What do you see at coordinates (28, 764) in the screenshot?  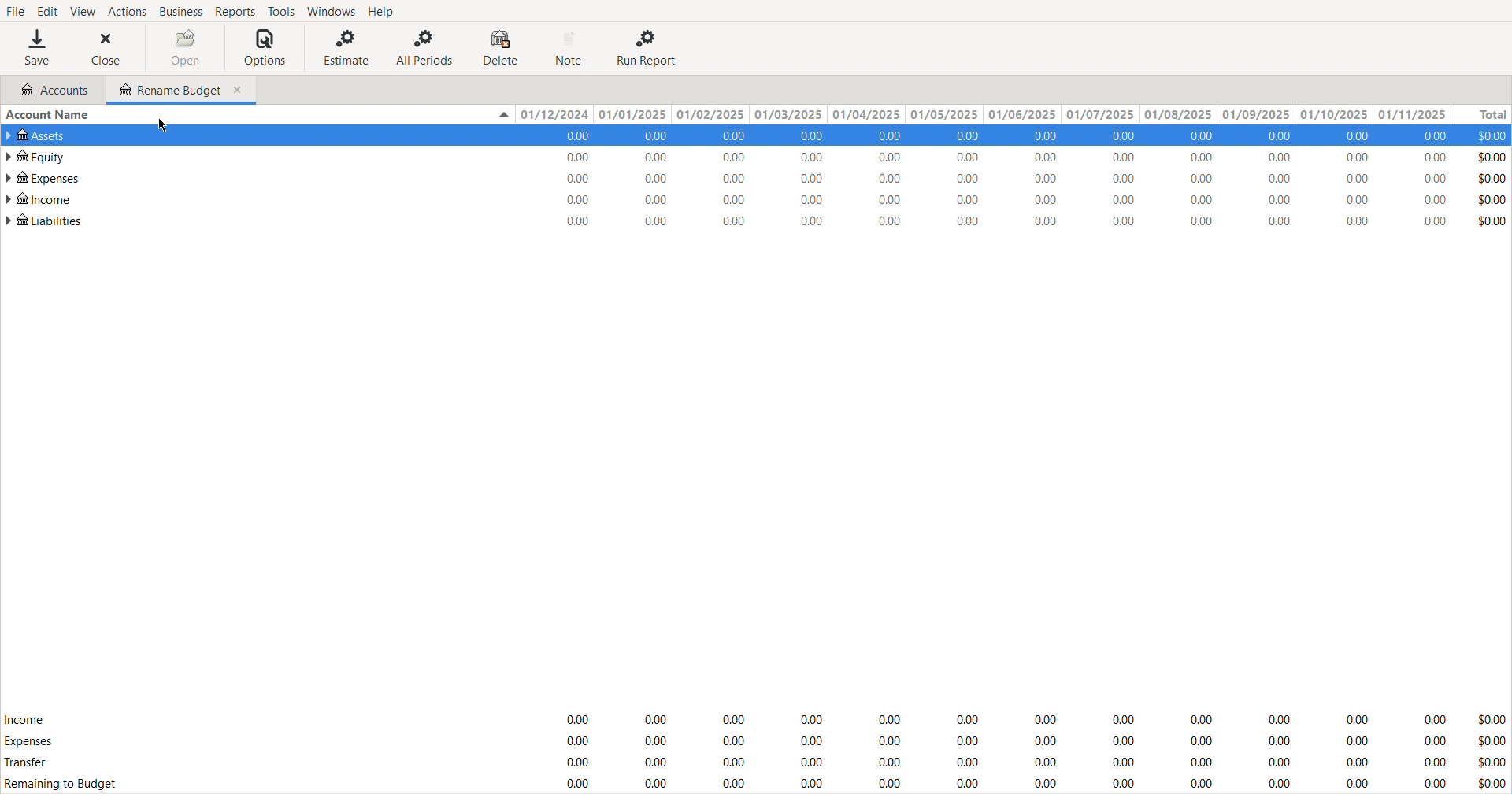 I see `Transfer` at bounding box center [28, 764].